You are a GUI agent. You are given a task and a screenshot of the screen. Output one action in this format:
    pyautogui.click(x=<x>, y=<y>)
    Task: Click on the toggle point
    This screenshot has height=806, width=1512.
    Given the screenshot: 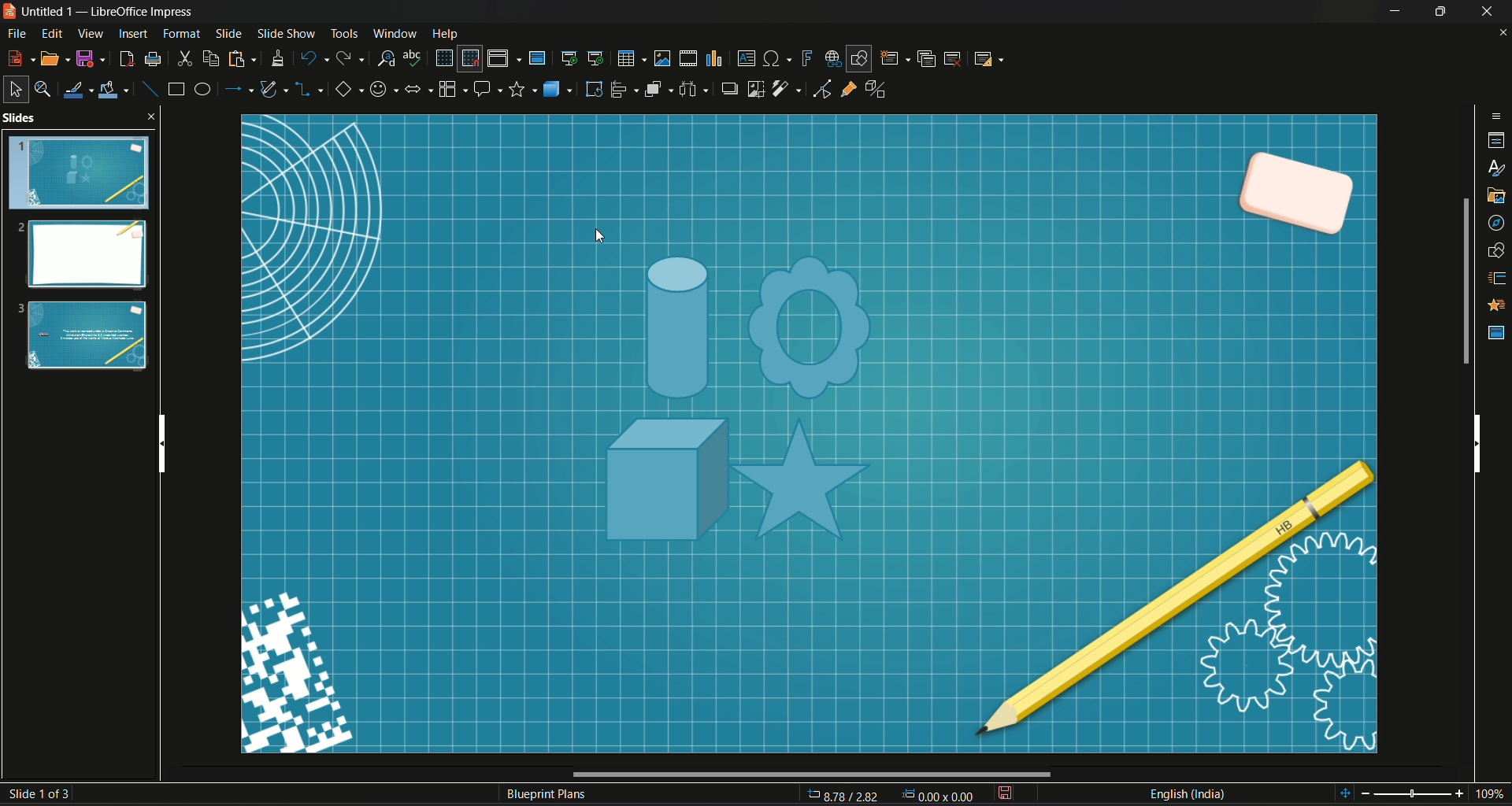 What is the action you would take?
    pyautogui.click(x=820, y=91)
    